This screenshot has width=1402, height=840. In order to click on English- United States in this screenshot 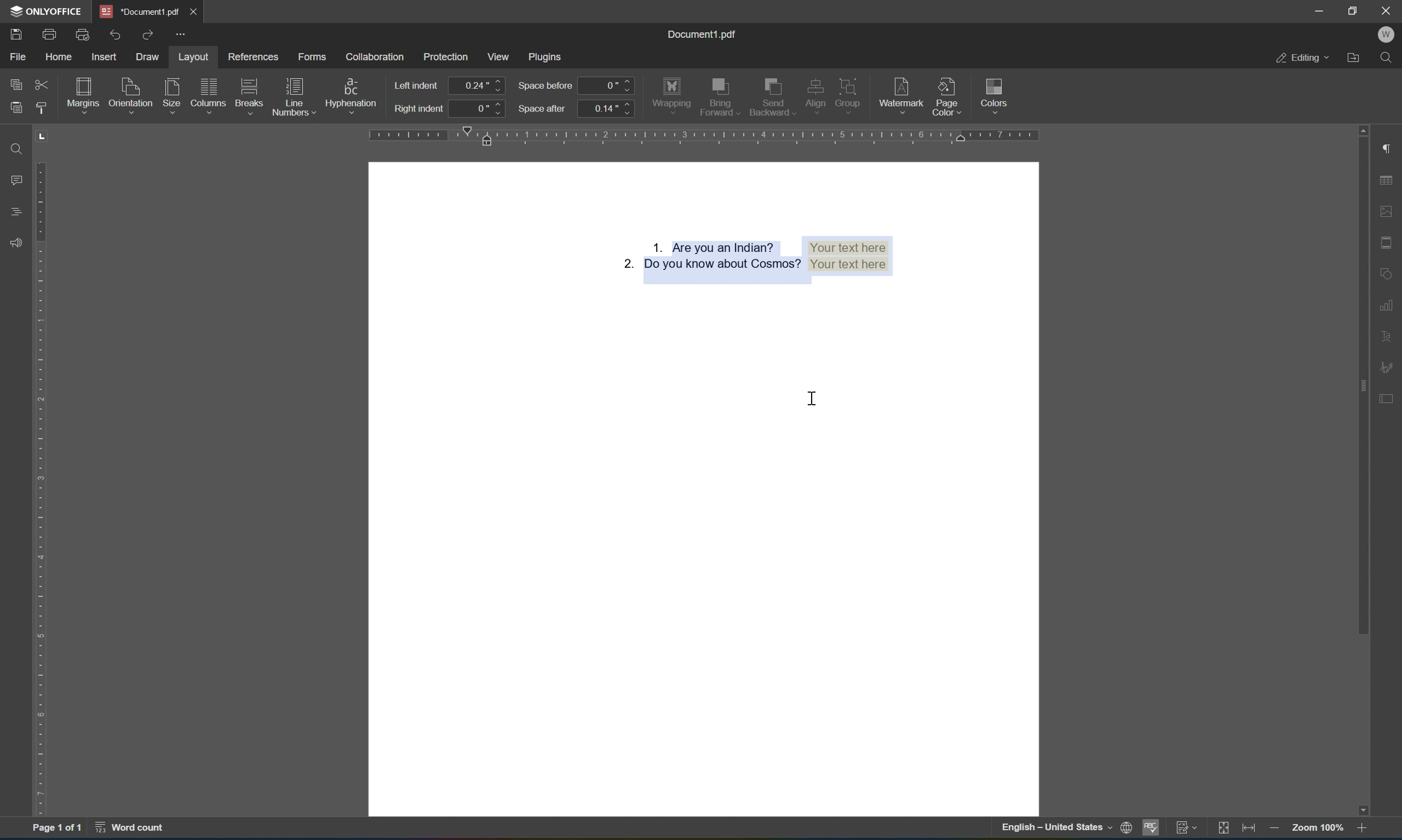, I will do `click(1064, 829)`.